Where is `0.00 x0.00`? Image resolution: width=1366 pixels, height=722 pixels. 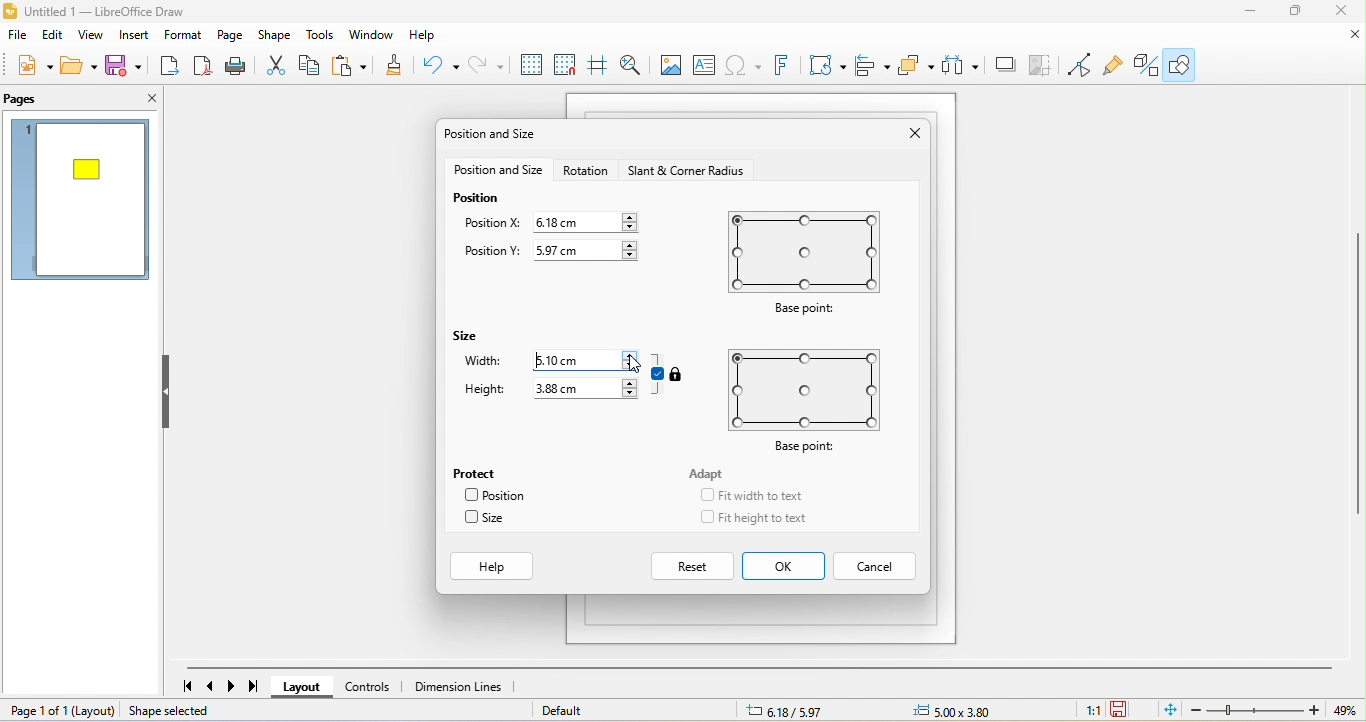 0.00 x0.00 is located at coordinates (969, 709).